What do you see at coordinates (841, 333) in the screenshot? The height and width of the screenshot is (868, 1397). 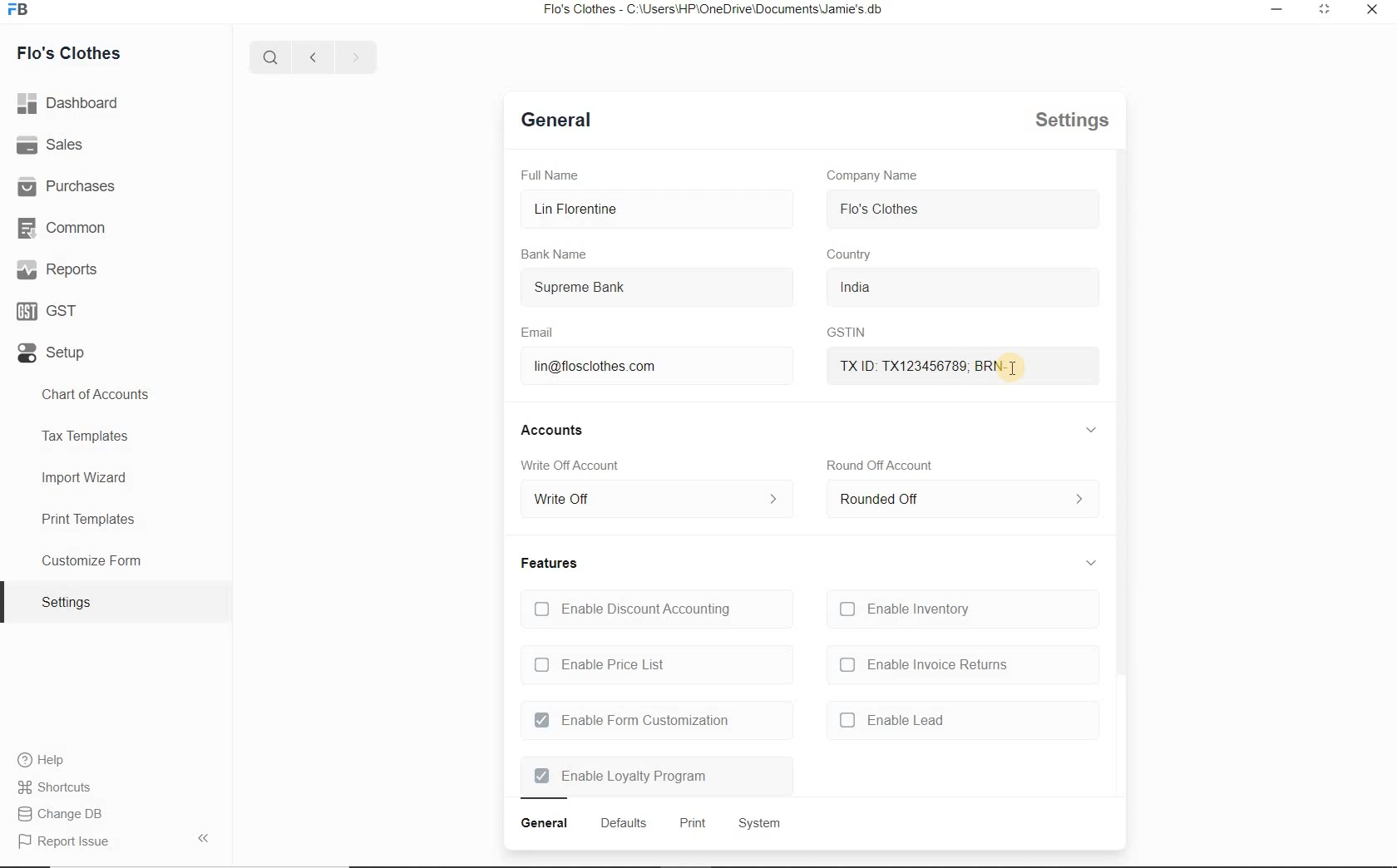 I see `GSTIN` at bounding box center [841, 333].